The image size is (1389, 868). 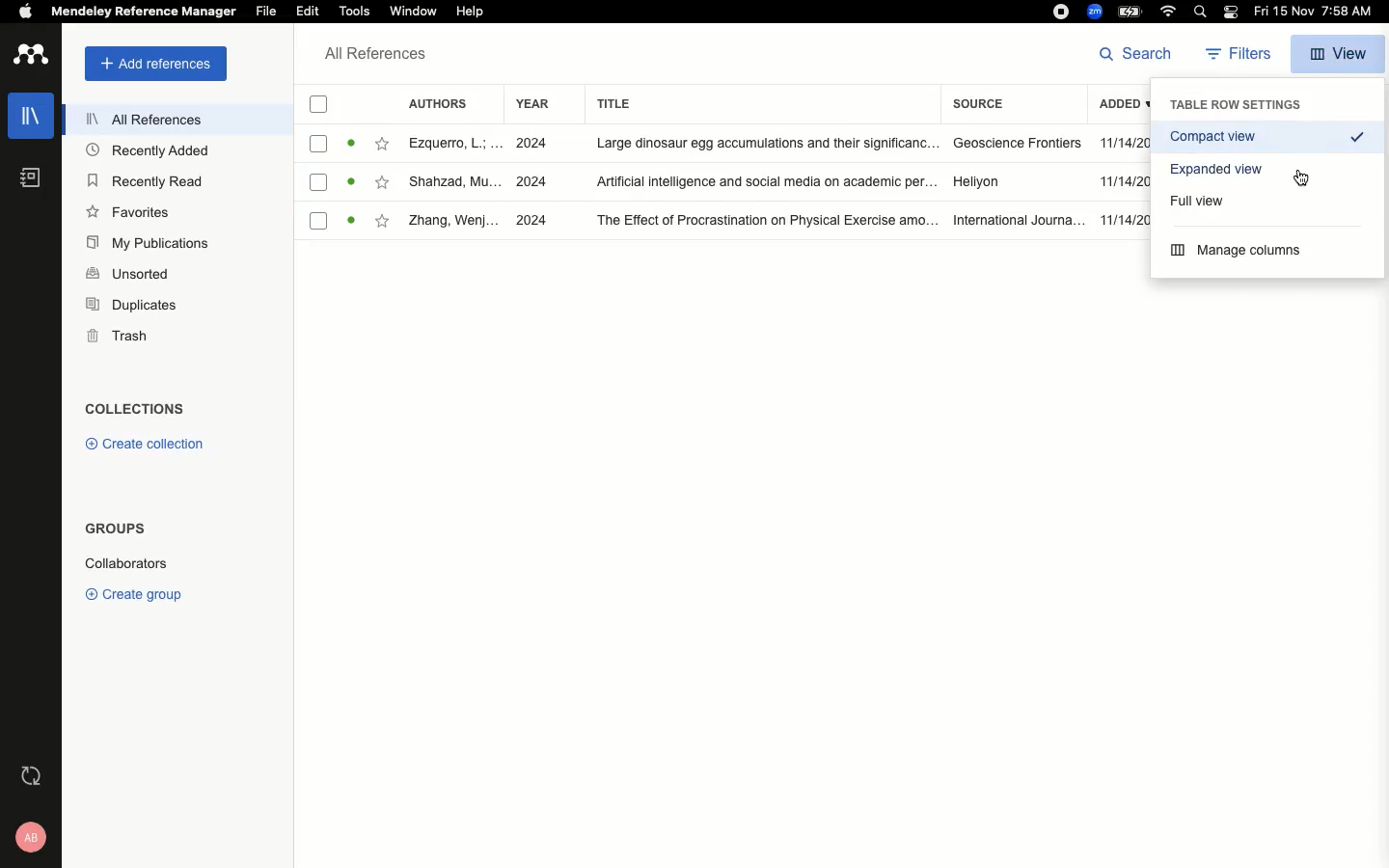 I want to click on Recently read, so click(x=147, y=180).